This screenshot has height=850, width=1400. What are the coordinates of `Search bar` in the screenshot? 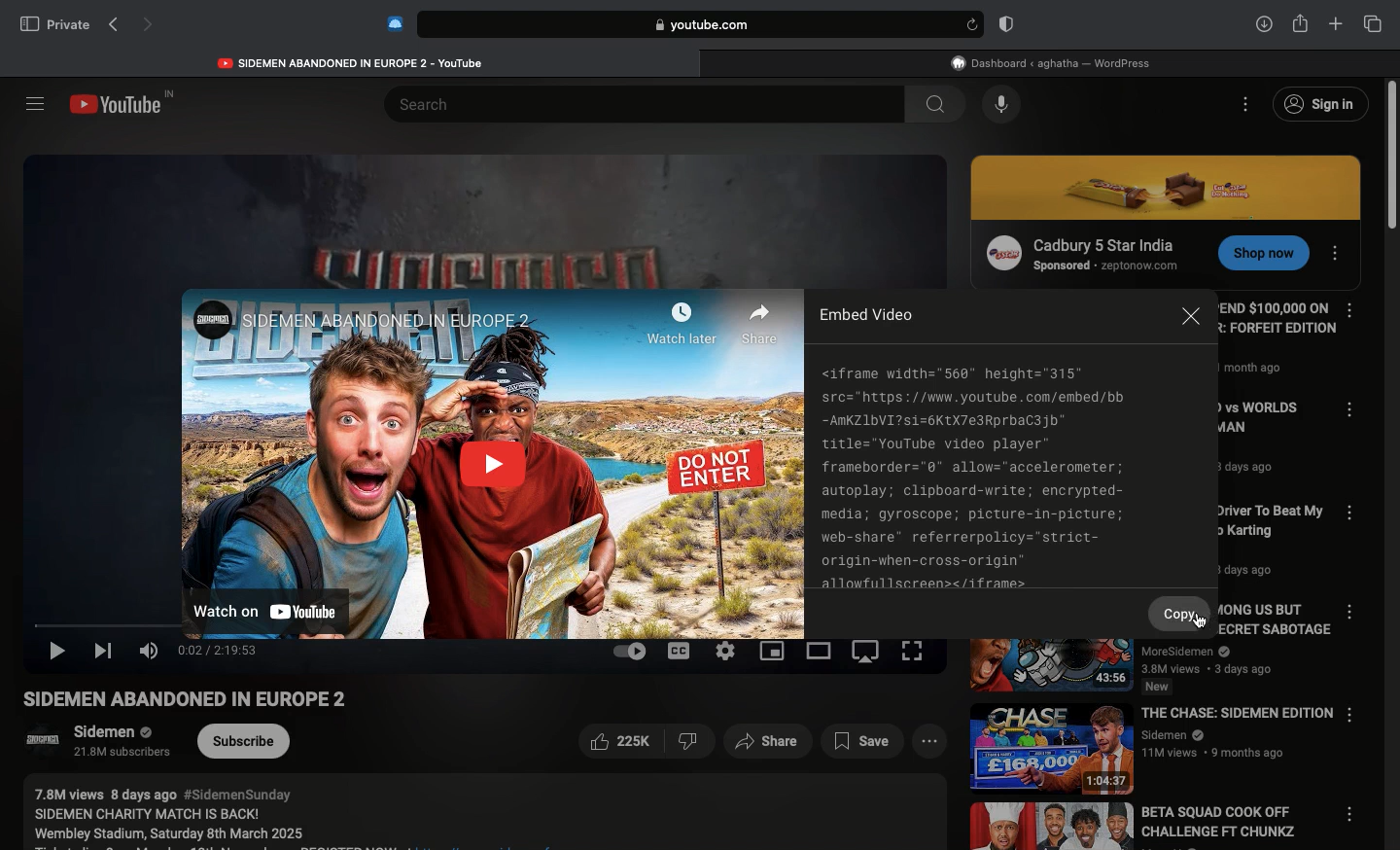 It's located at (626, 103).